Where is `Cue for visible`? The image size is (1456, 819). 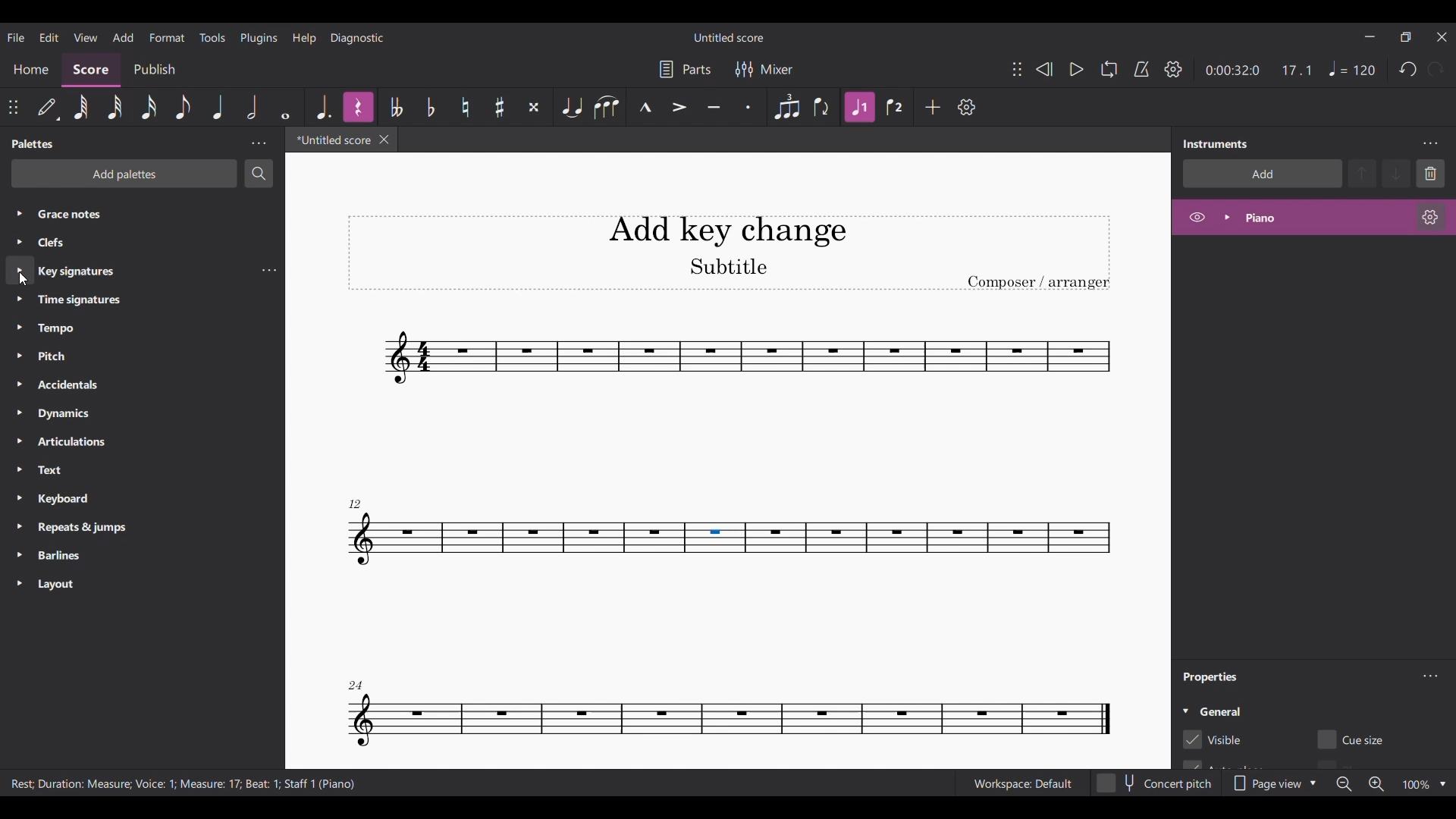
Cue for visible is located at coordinates (1213, 740).